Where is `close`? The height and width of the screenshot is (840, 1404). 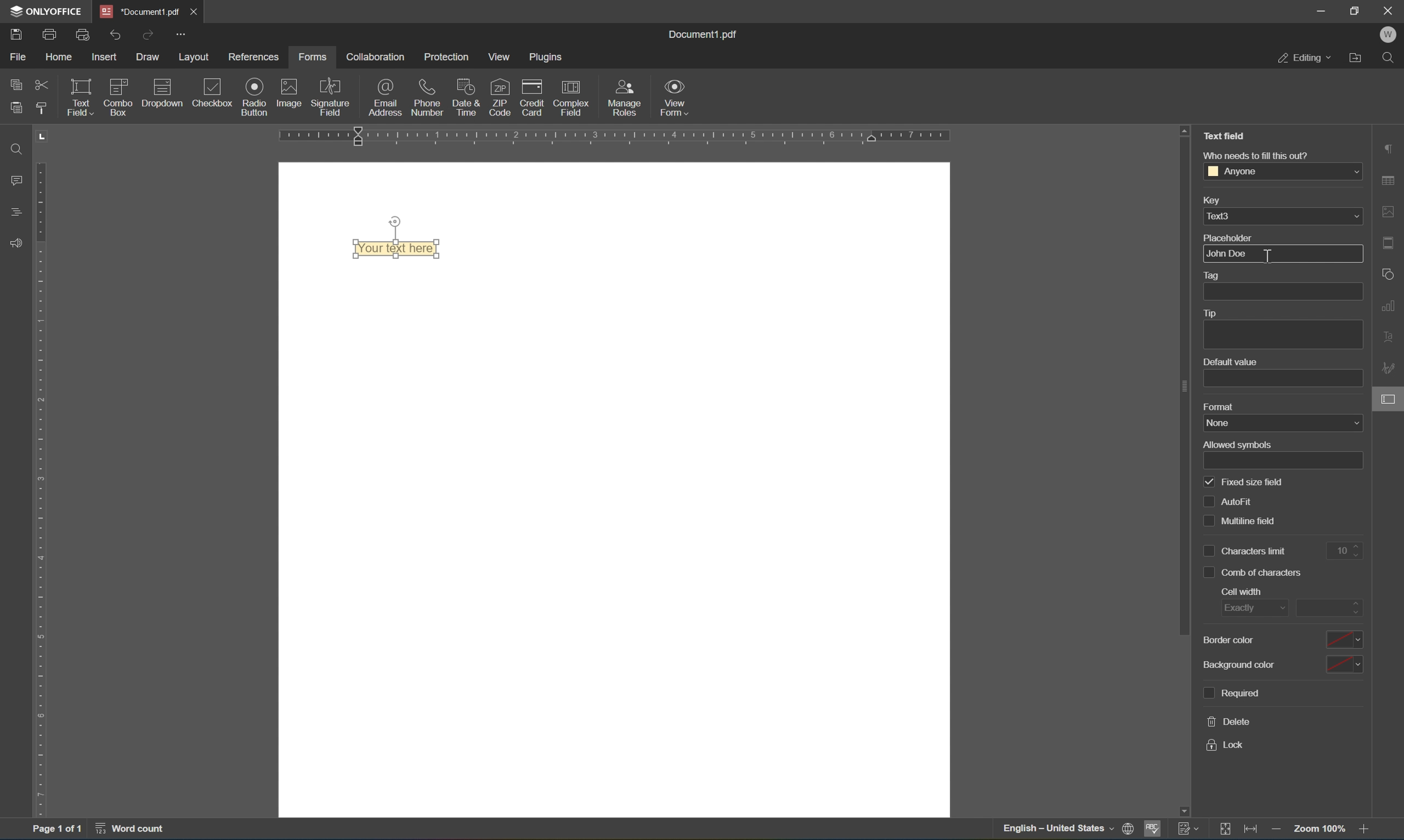
close is located at coordinates (1389, 10).